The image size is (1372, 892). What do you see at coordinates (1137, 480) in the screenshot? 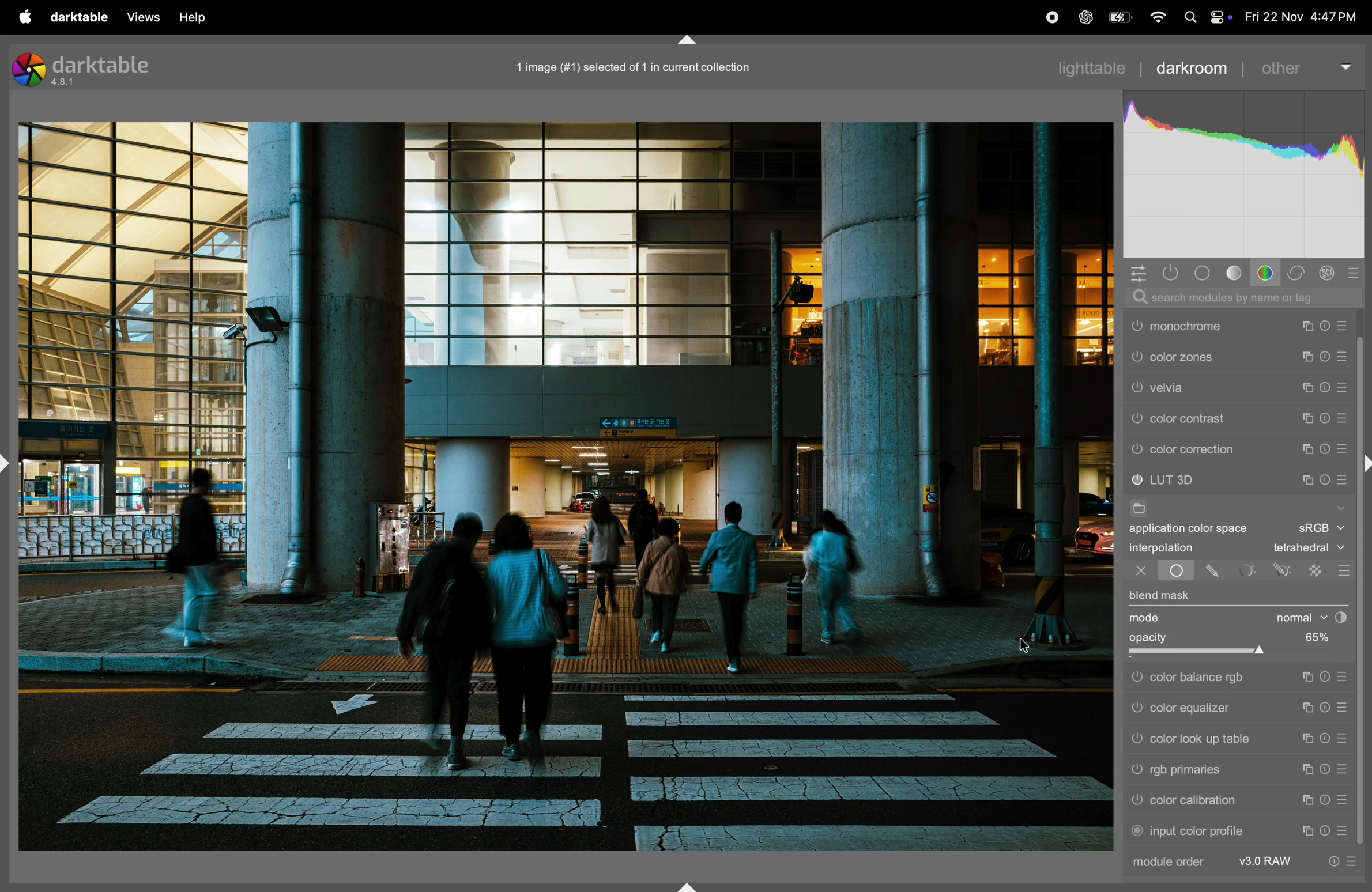
I see `LUT 3D switched off` at bounding box center [1137, 480].